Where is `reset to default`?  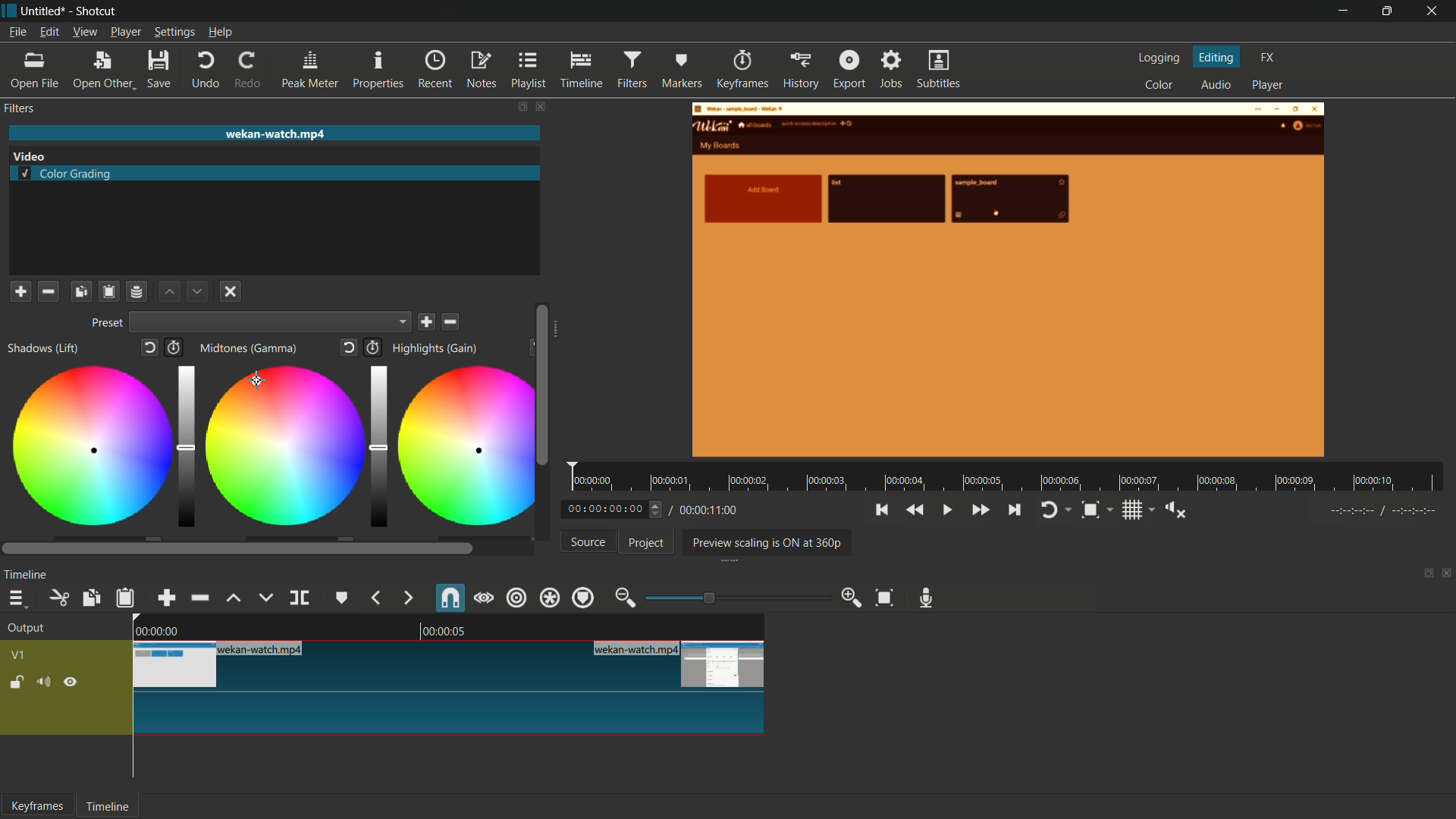
reset to default is located at coordinates (148, 347).